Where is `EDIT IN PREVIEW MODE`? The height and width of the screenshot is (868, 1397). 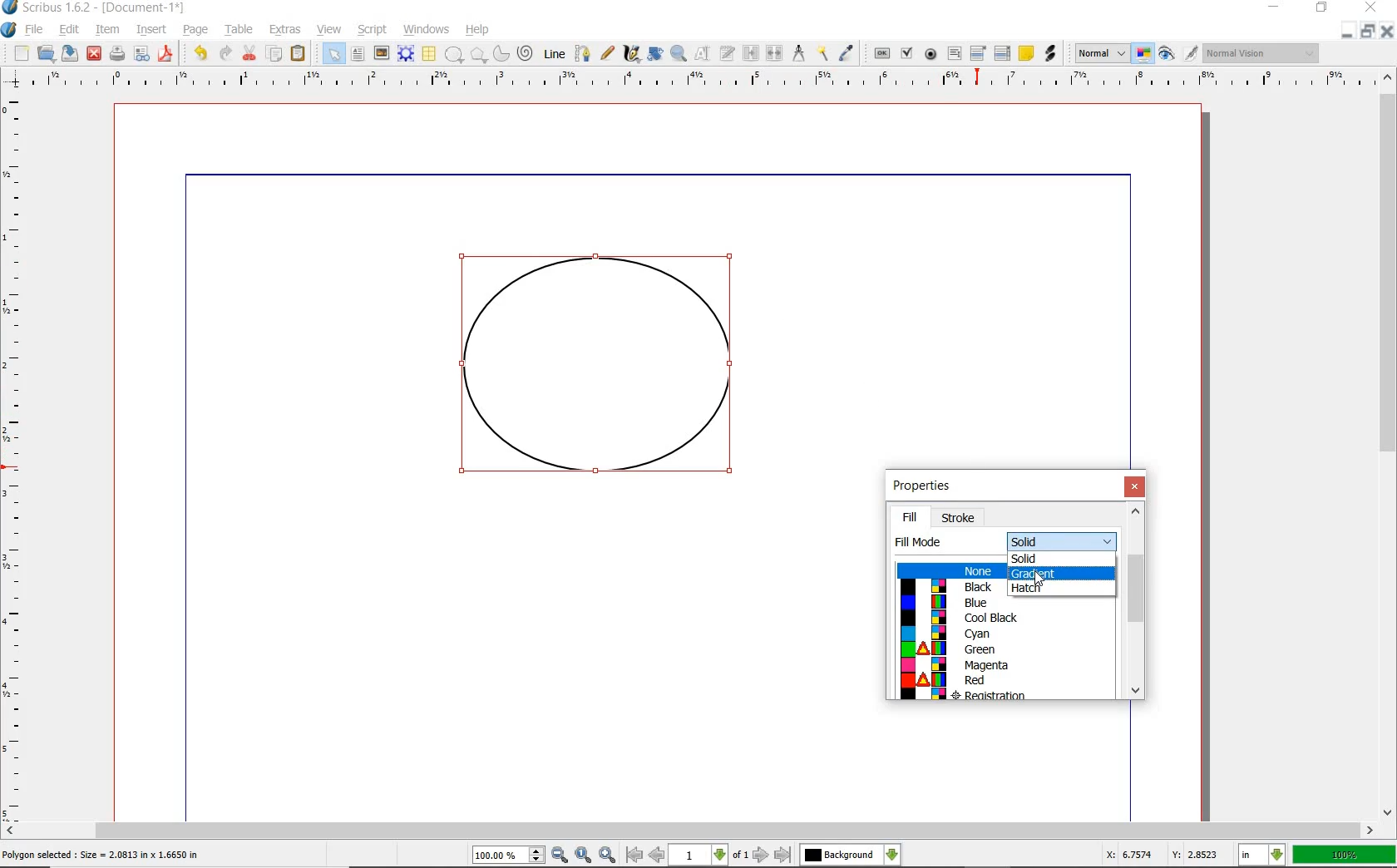 EDIT IN PREVIEW MODE is located at coordinates (1190, 52).